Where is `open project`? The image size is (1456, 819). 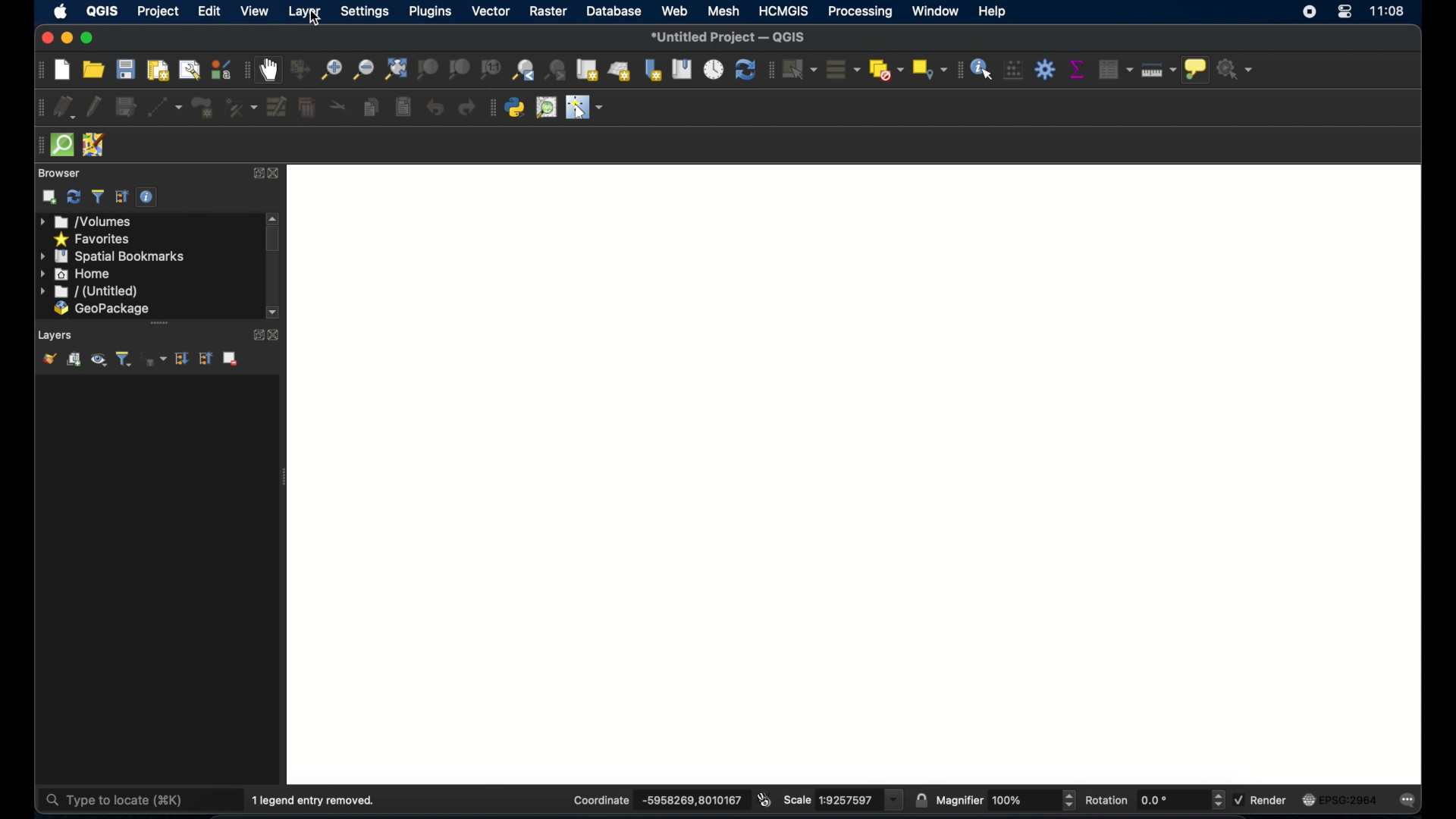 open project is located at coordinates (95, 69).